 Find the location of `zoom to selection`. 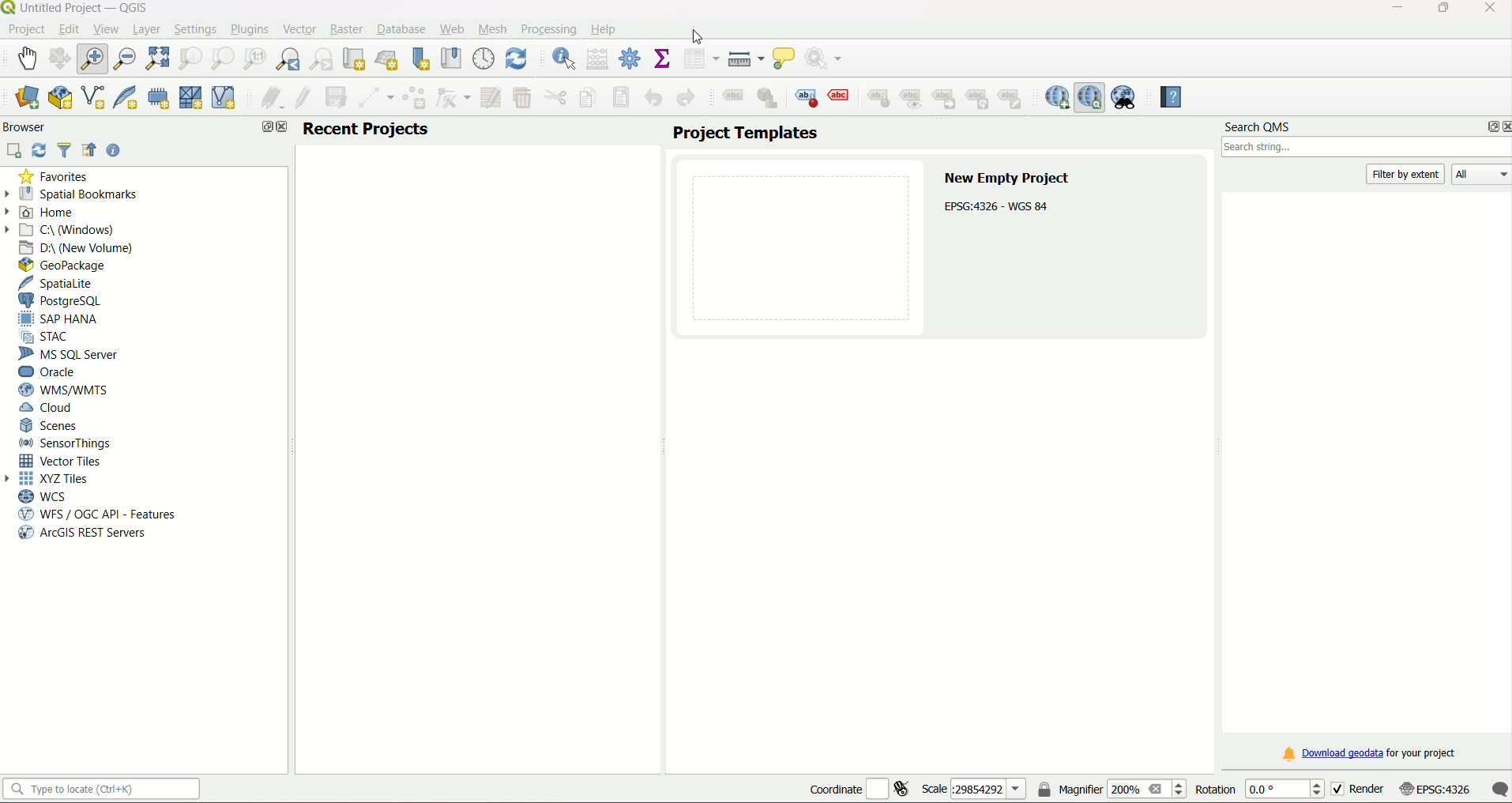

zoom to selection is located at coordinates (191, 58).